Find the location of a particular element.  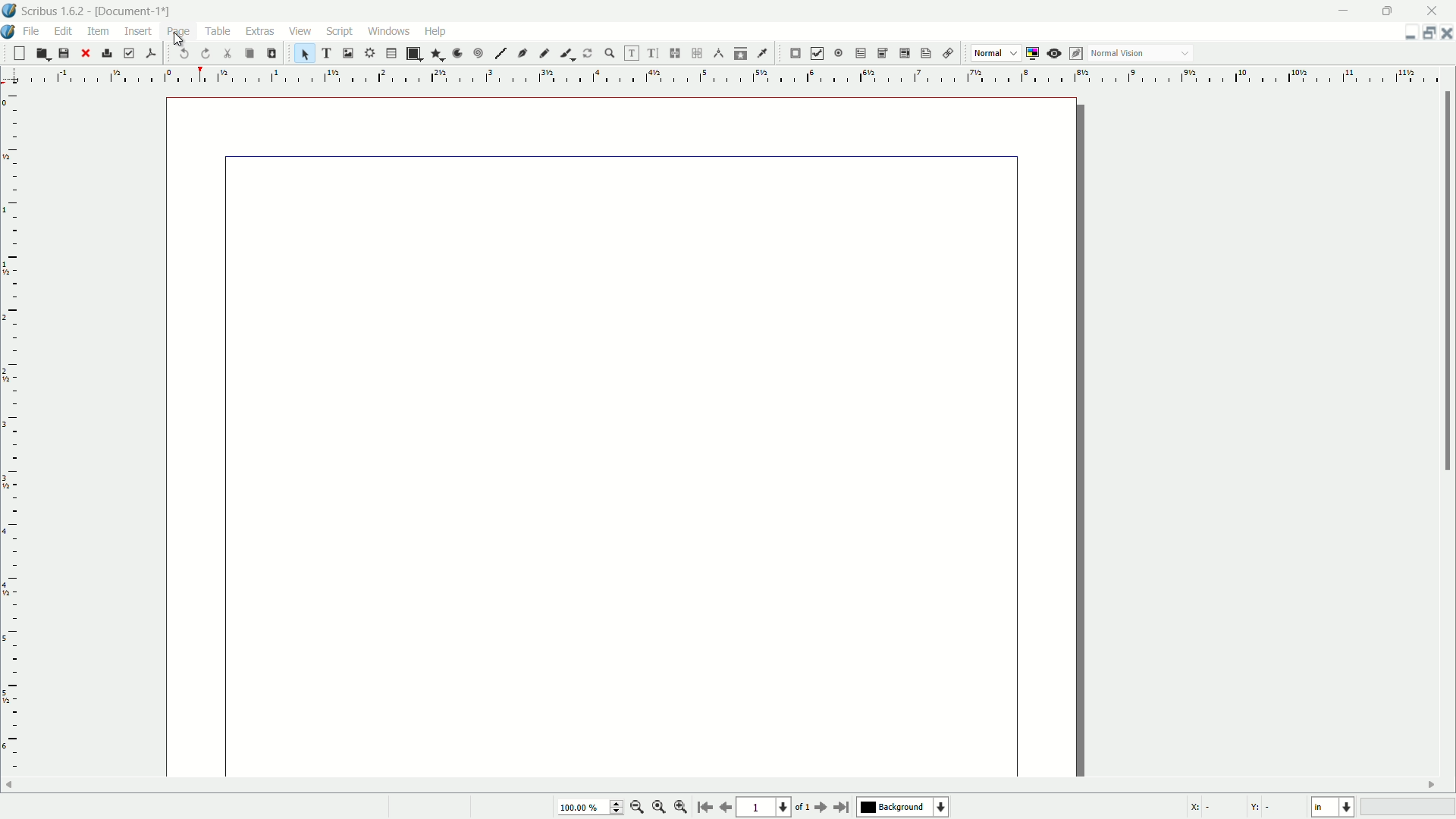

pdf check box is located at coordinates (817, 53).